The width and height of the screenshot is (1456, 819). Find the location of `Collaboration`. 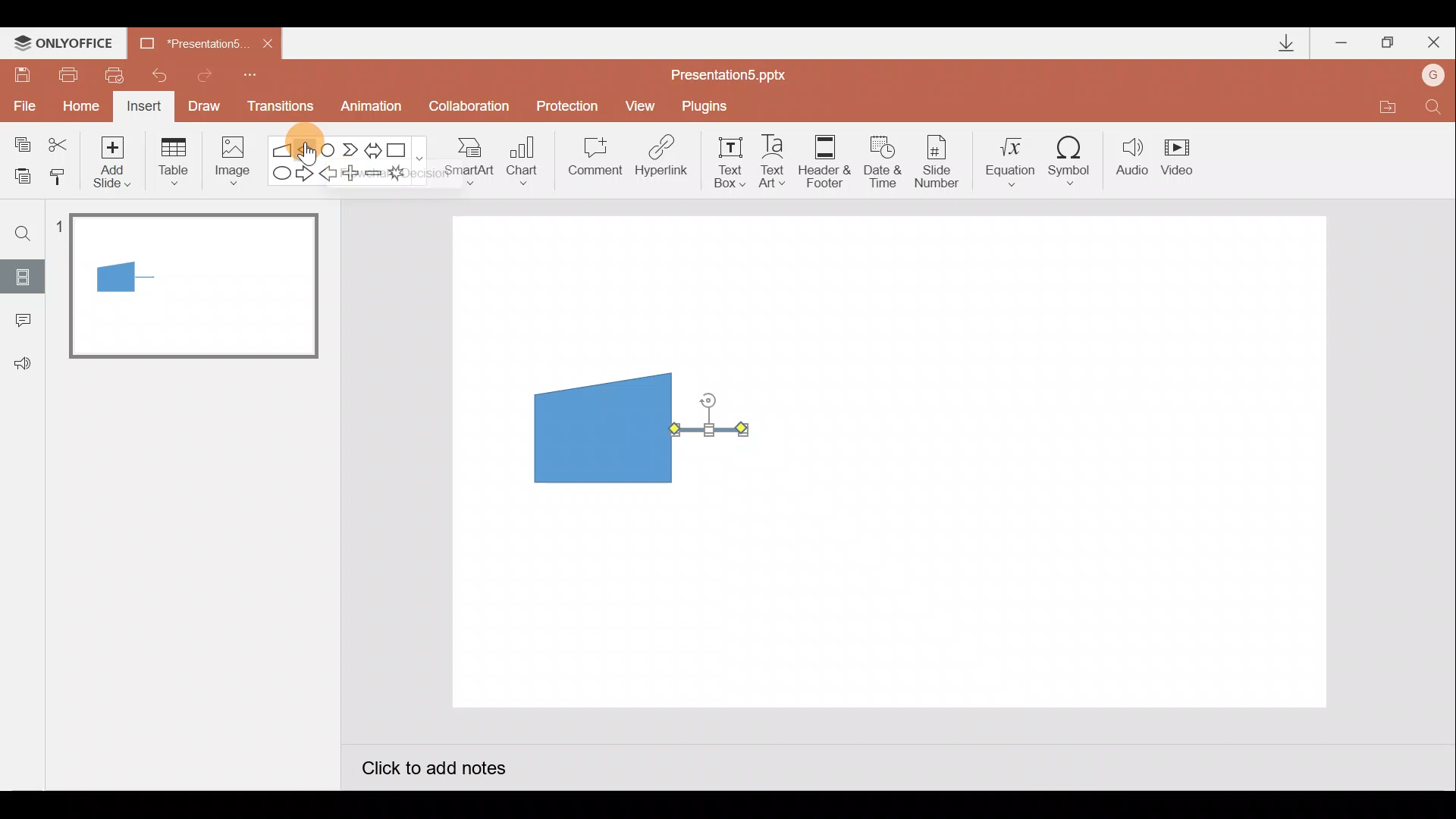

Collaboration is located at coordinates (472, 108).